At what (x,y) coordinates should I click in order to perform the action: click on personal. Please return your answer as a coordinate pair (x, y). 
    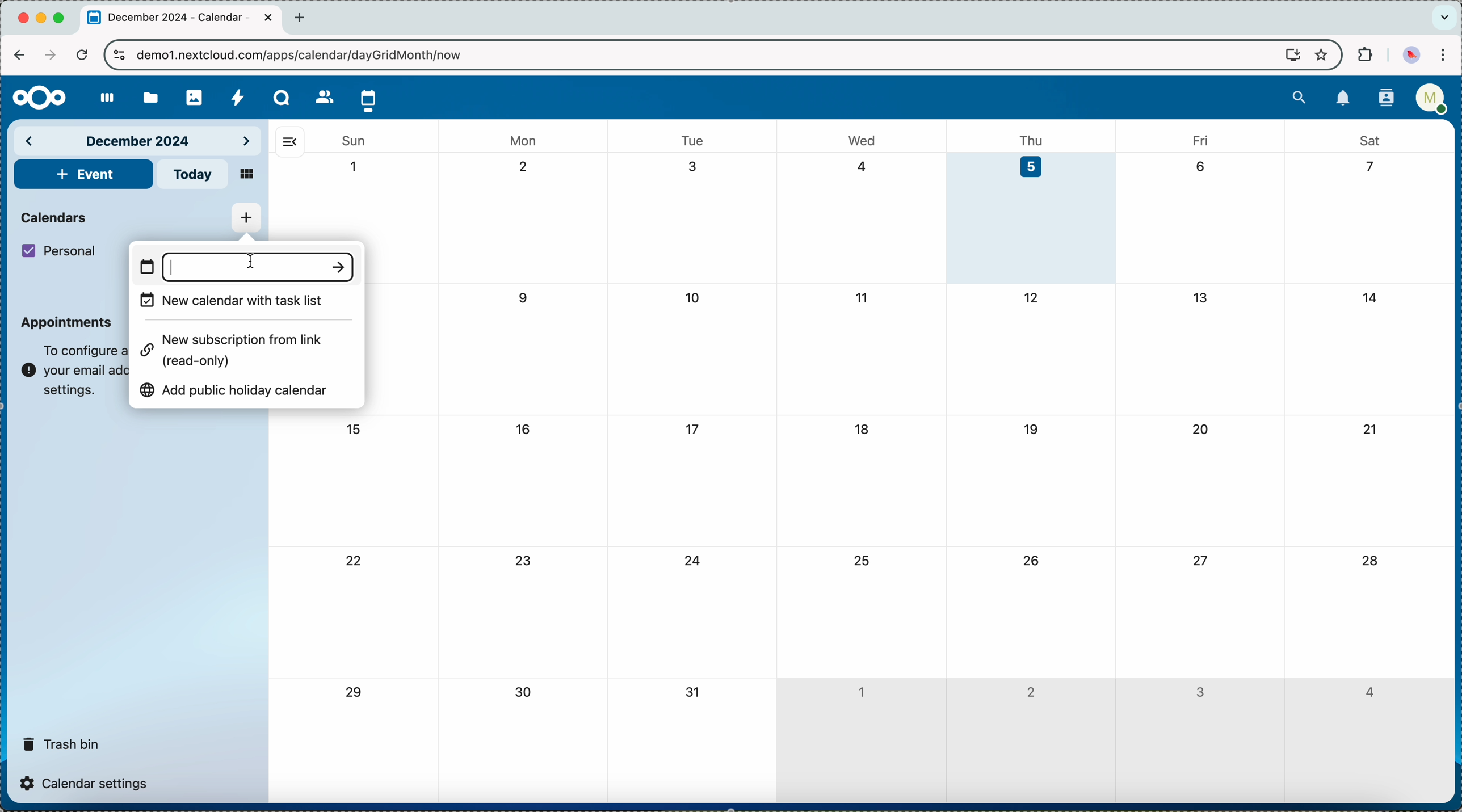
    Looking at the image, I should click on (61, 251).